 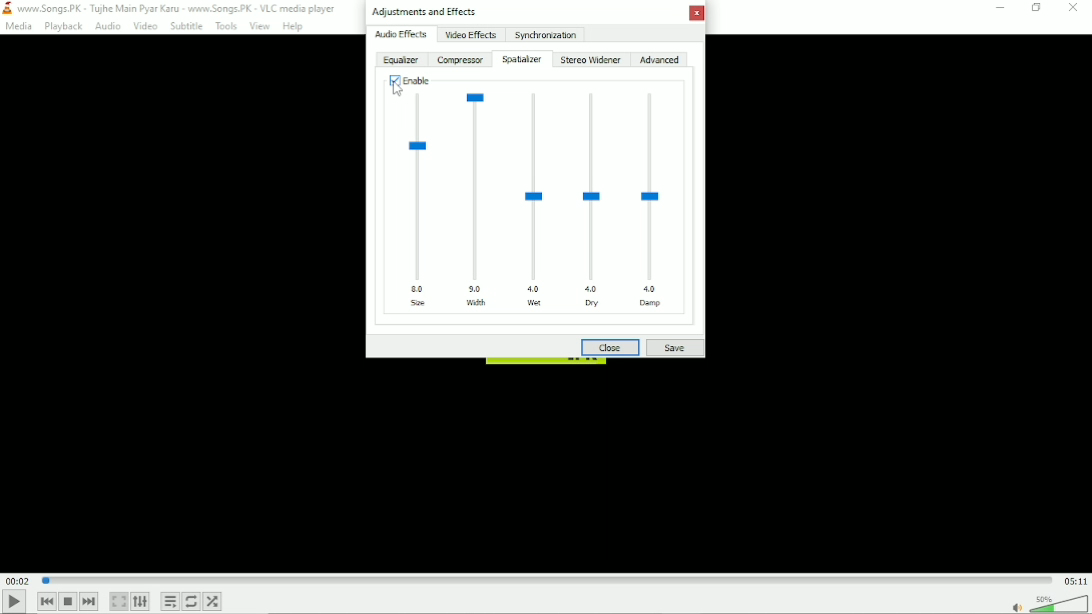 What do you see at coordinates (1074, 7) in the screenshot?
I see `Close` at bounding box center [1074, 7].